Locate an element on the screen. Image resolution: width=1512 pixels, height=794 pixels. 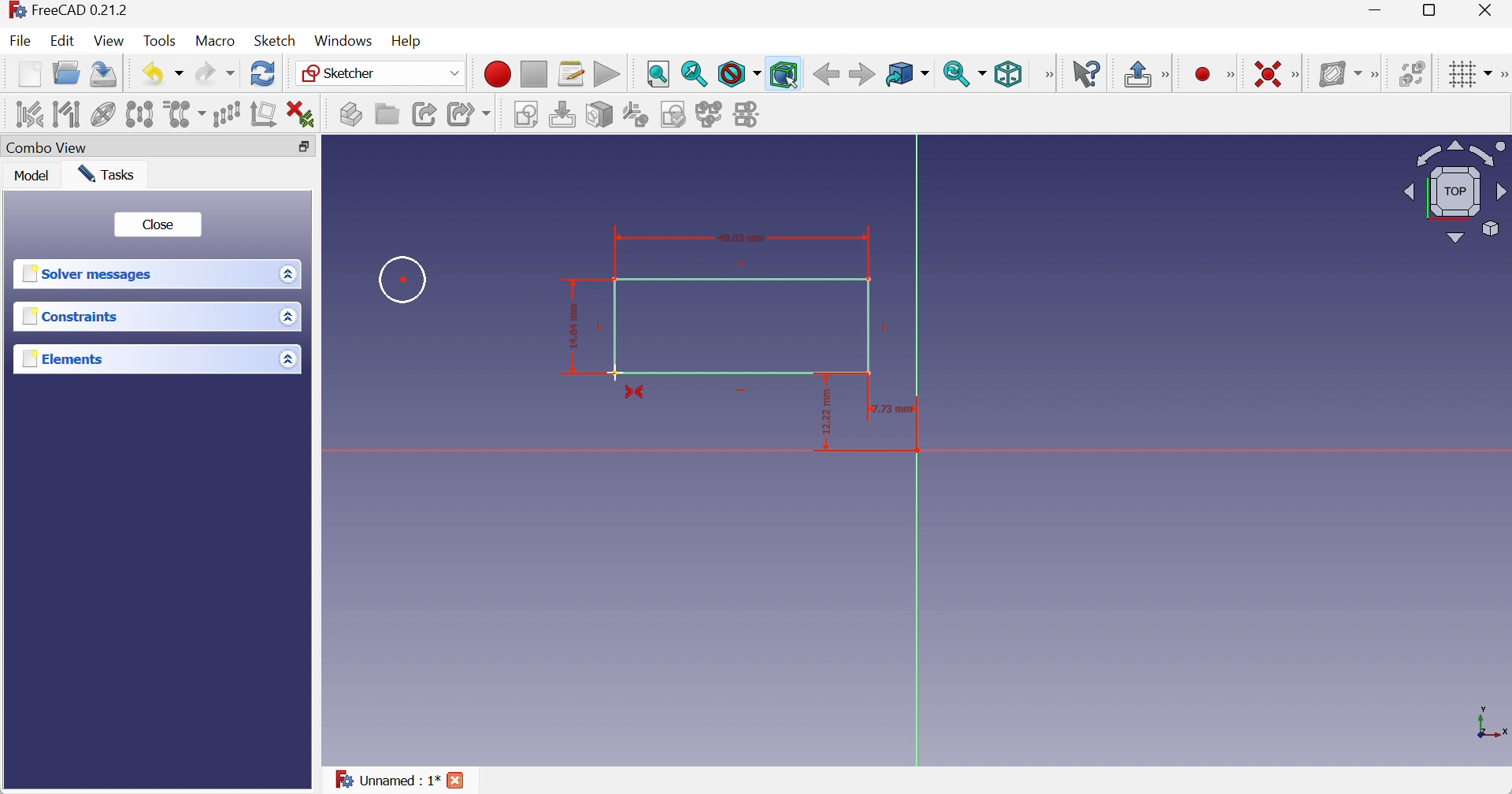
Merge sketches is located at coordinates (711, 114).